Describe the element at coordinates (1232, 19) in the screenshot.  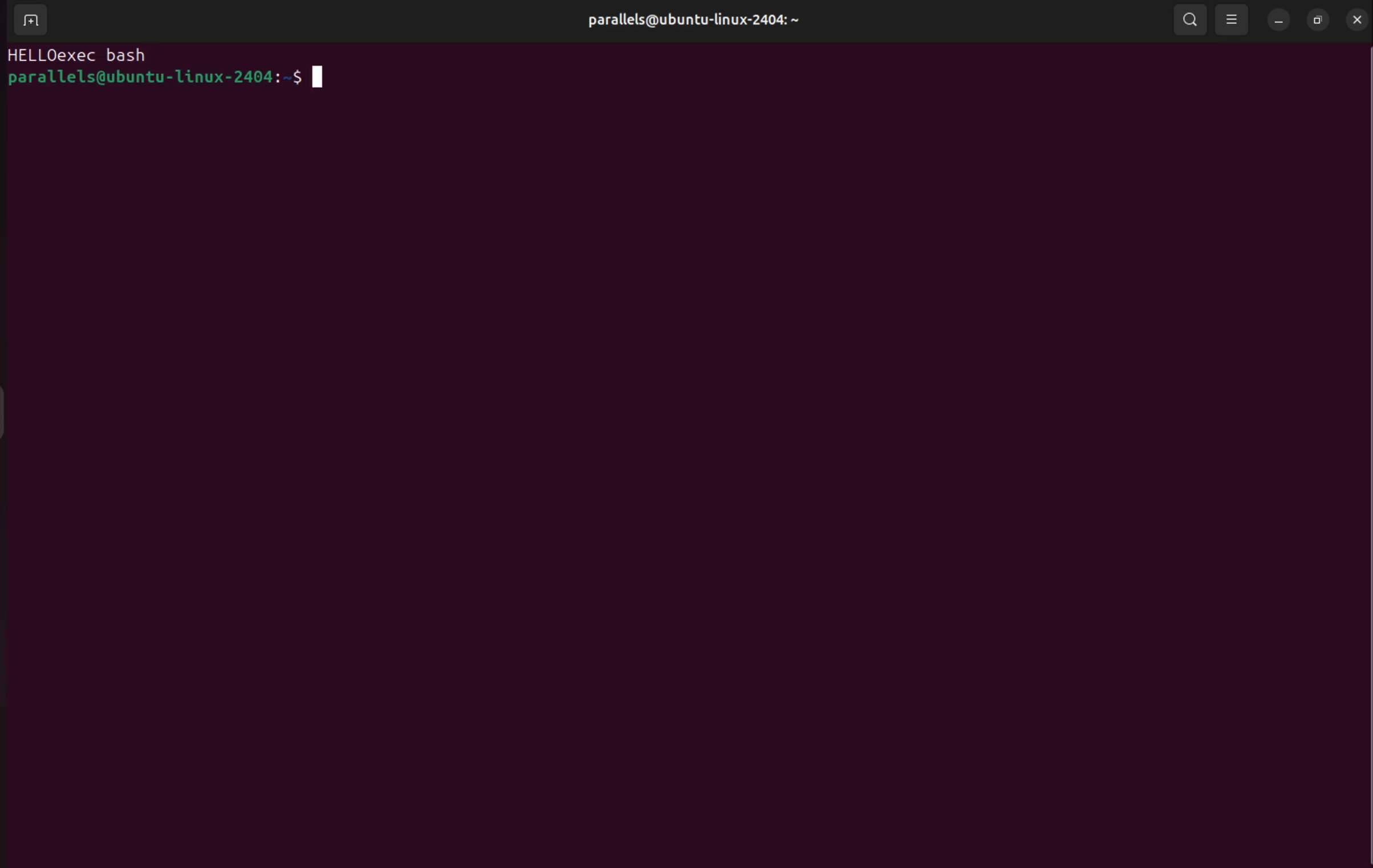
I see `view options` at that location.